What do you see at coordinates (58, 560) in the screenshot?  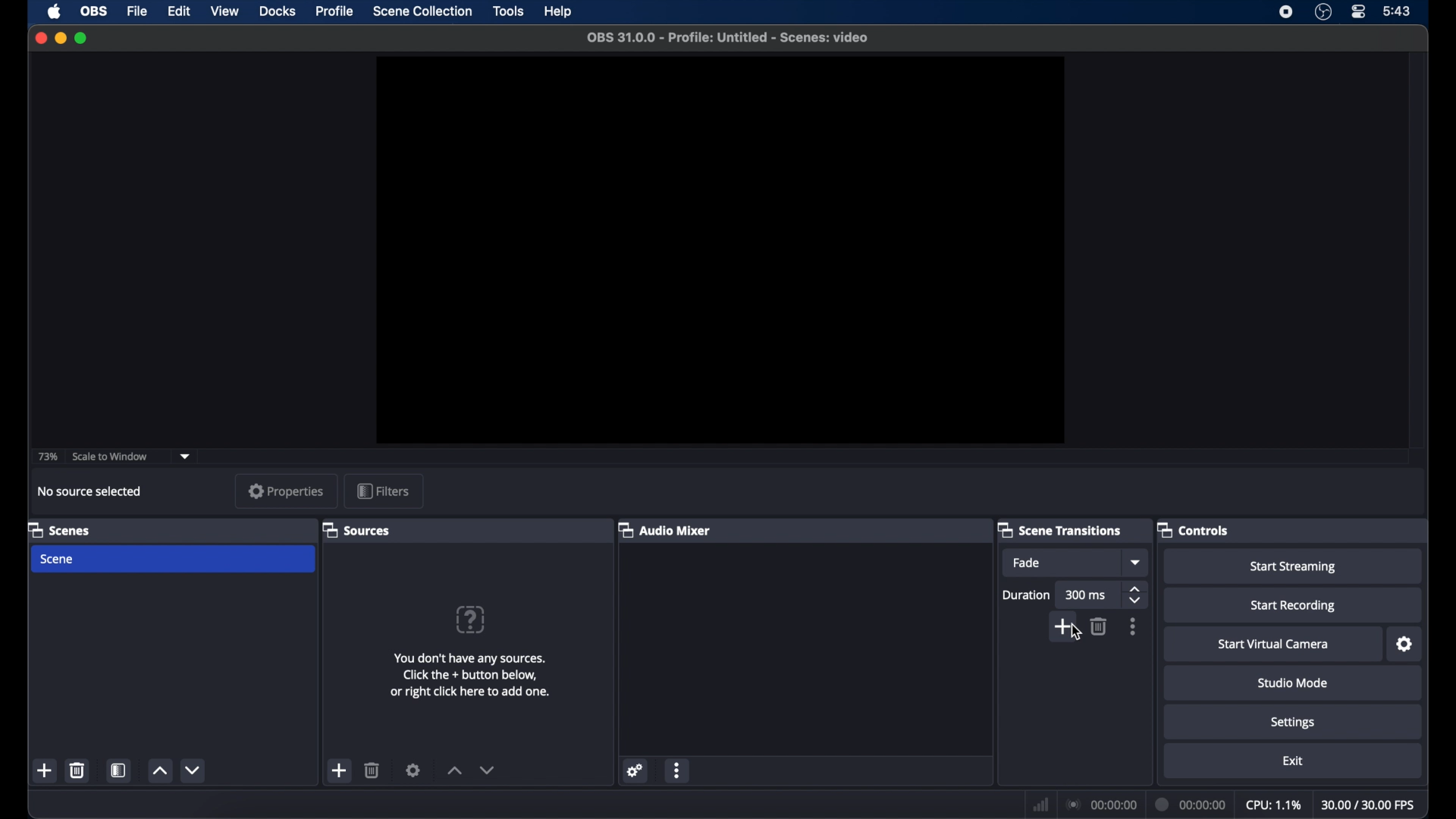 I see `scene` at bounding box center [58, 560].